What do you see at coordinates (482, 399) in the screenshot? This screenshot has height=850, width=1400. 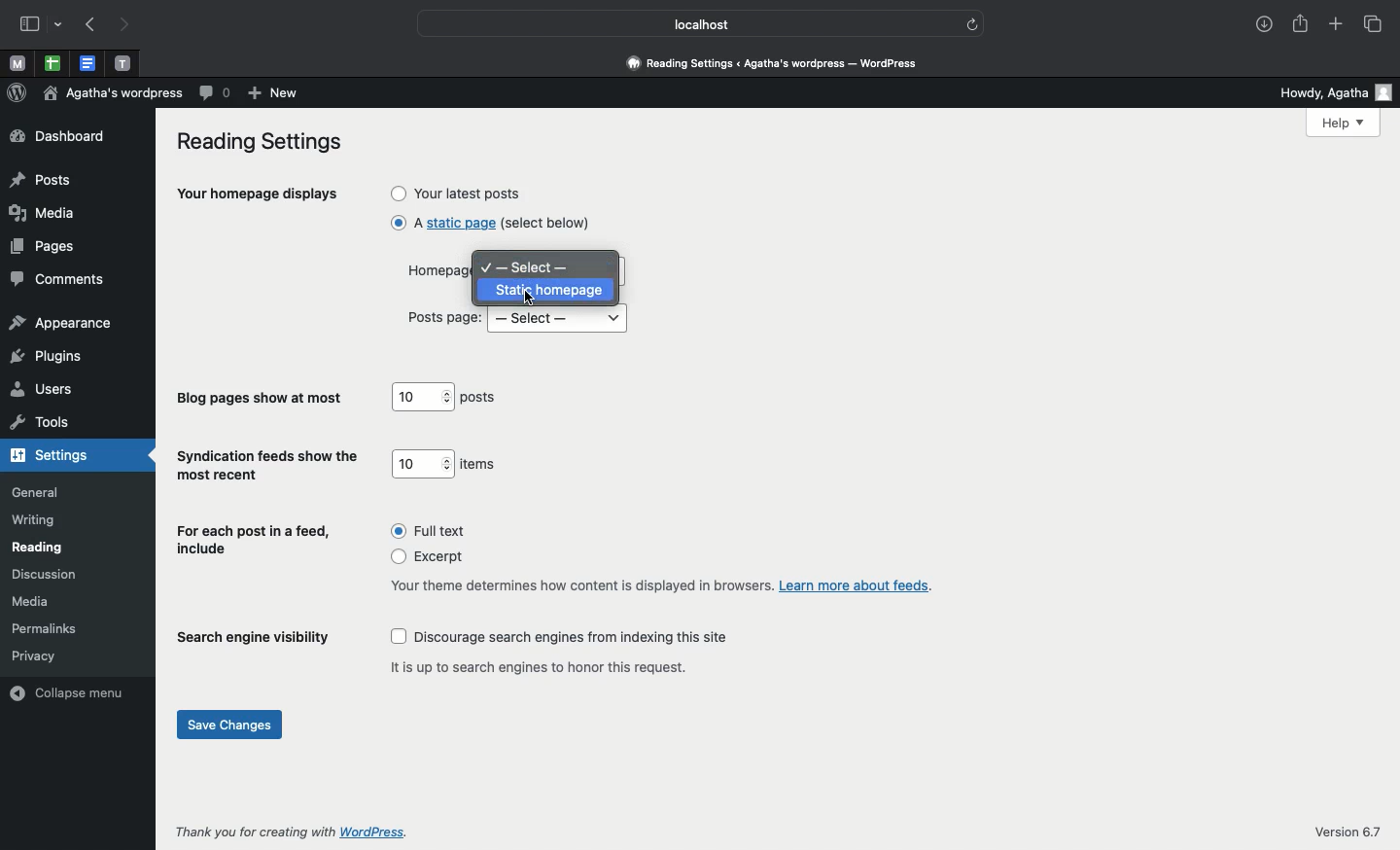 I see `posts` at bounding box center [482, 399].